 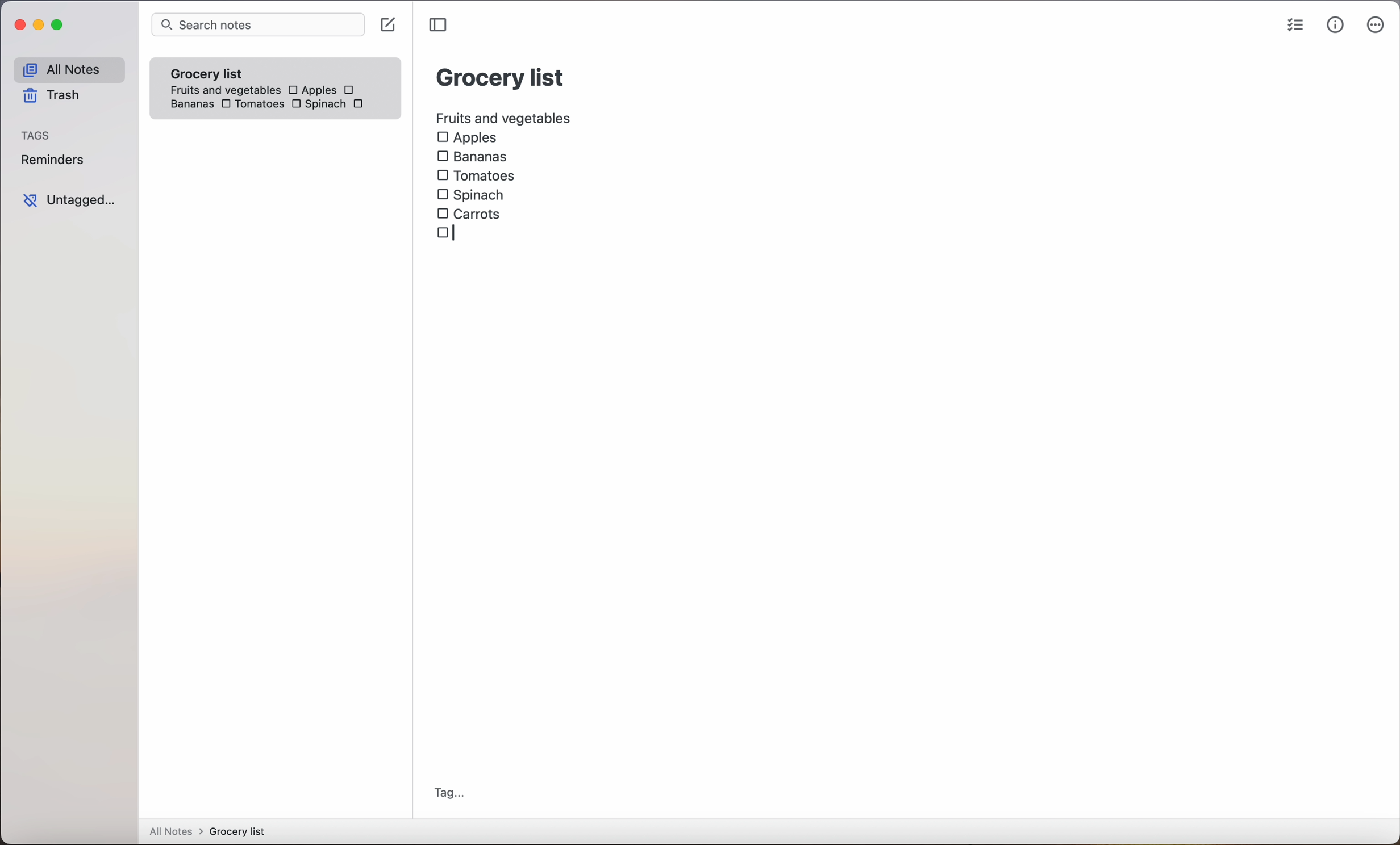 What do you see at coordinates (390, 26) in the screenshot?
I see `click on create note` at bounding box center [390, 26].